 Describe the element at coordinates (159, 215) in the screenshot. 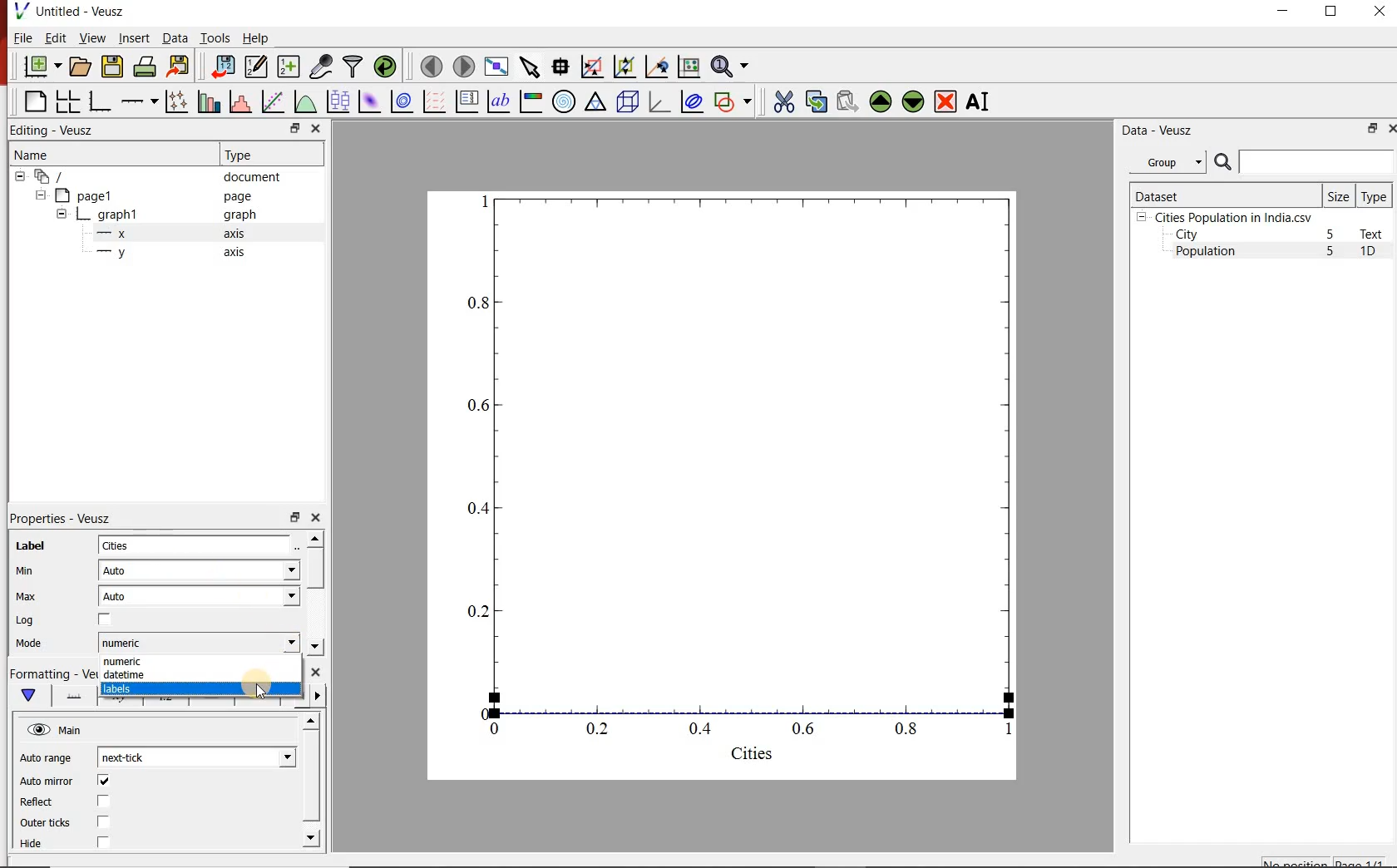

I see `graph1` at that location.